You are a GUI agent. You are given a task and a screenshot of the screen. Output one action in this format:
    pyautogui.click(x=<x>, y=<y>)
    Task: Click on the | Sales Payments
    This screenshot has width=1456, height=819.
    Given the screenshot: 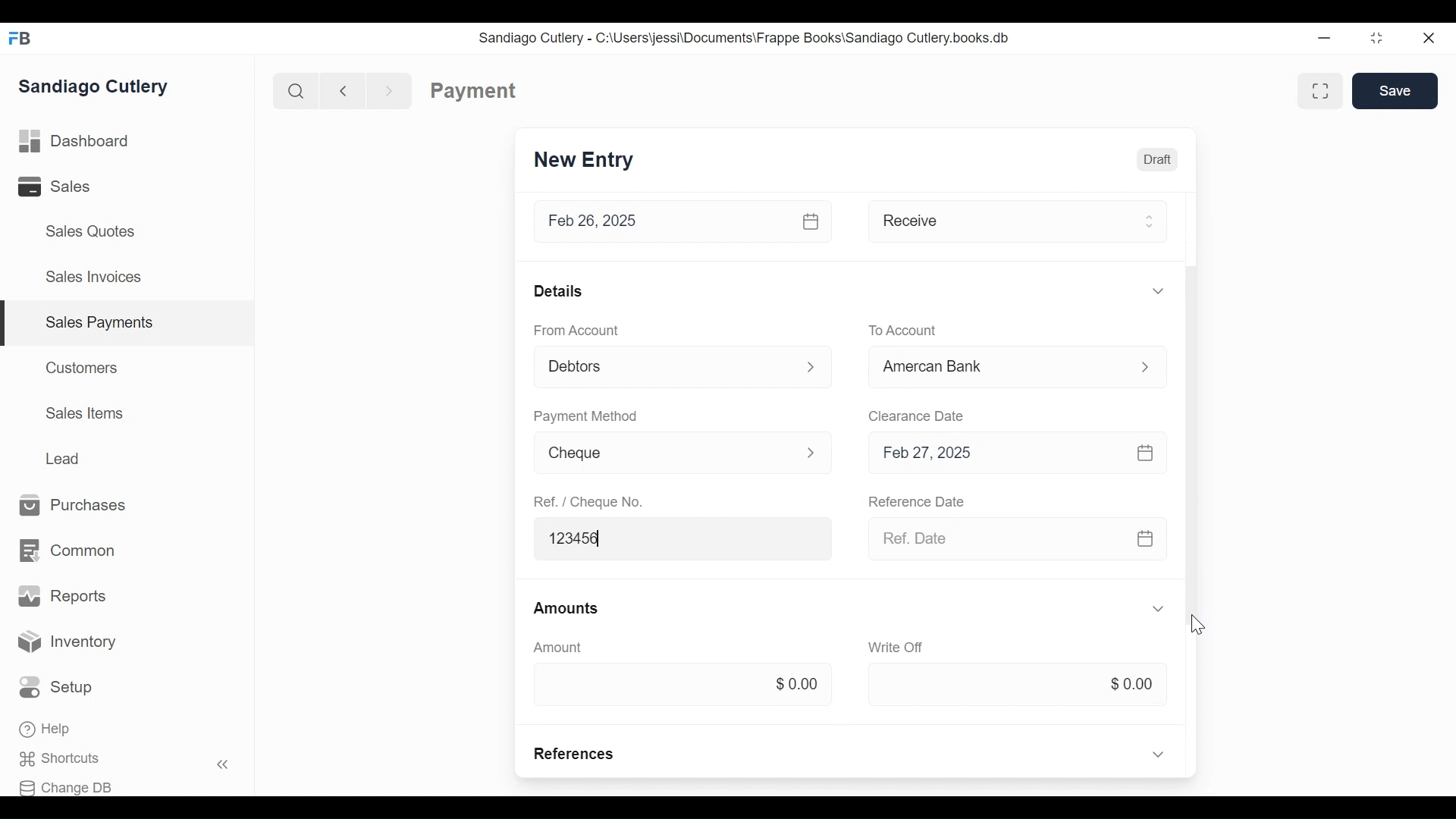 What is the action you would take?
    pyautogui.click(x=129, y=324)
    